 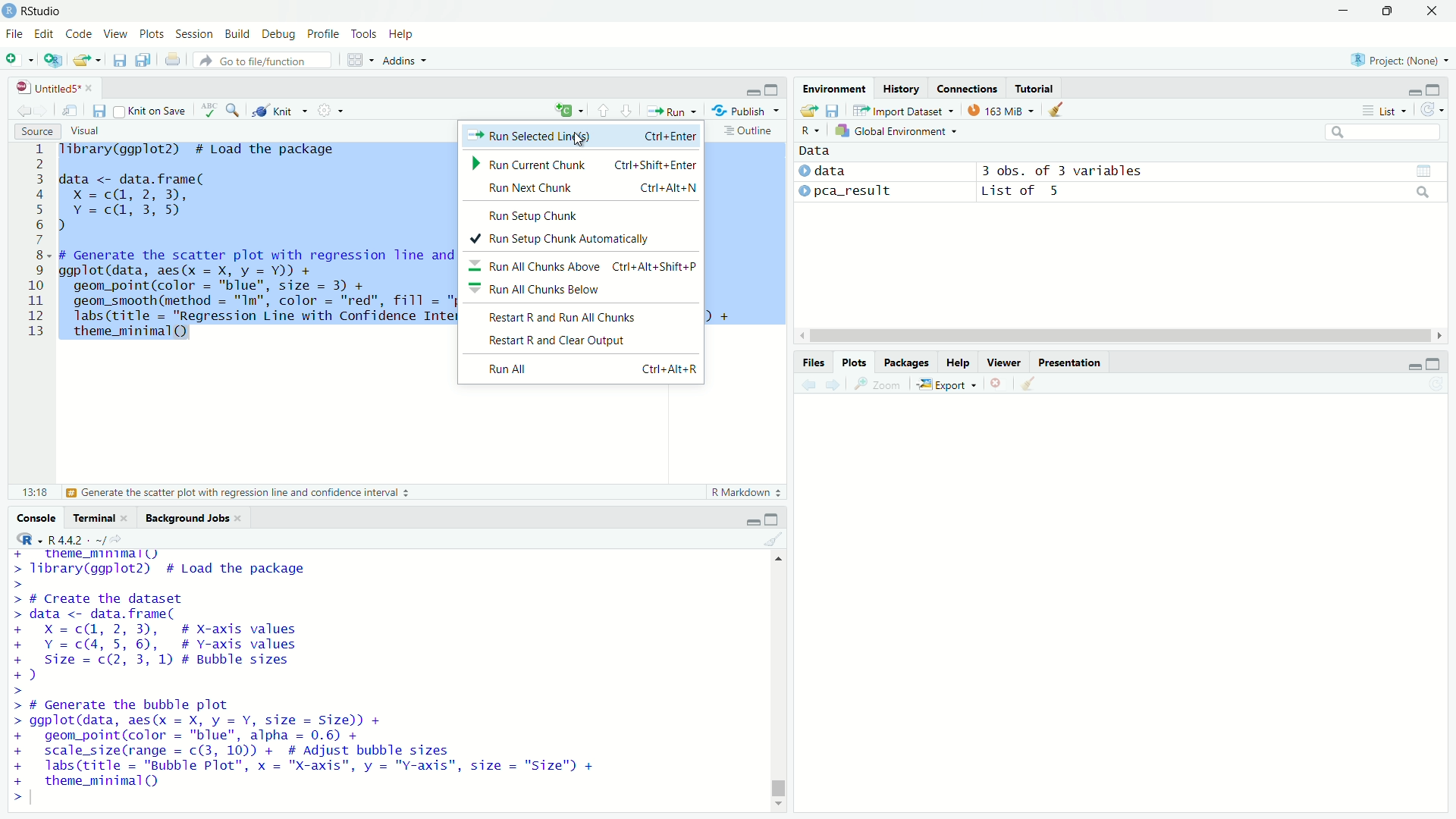 I want to click on insert a new code/chunk, so click(x=569, y=109).